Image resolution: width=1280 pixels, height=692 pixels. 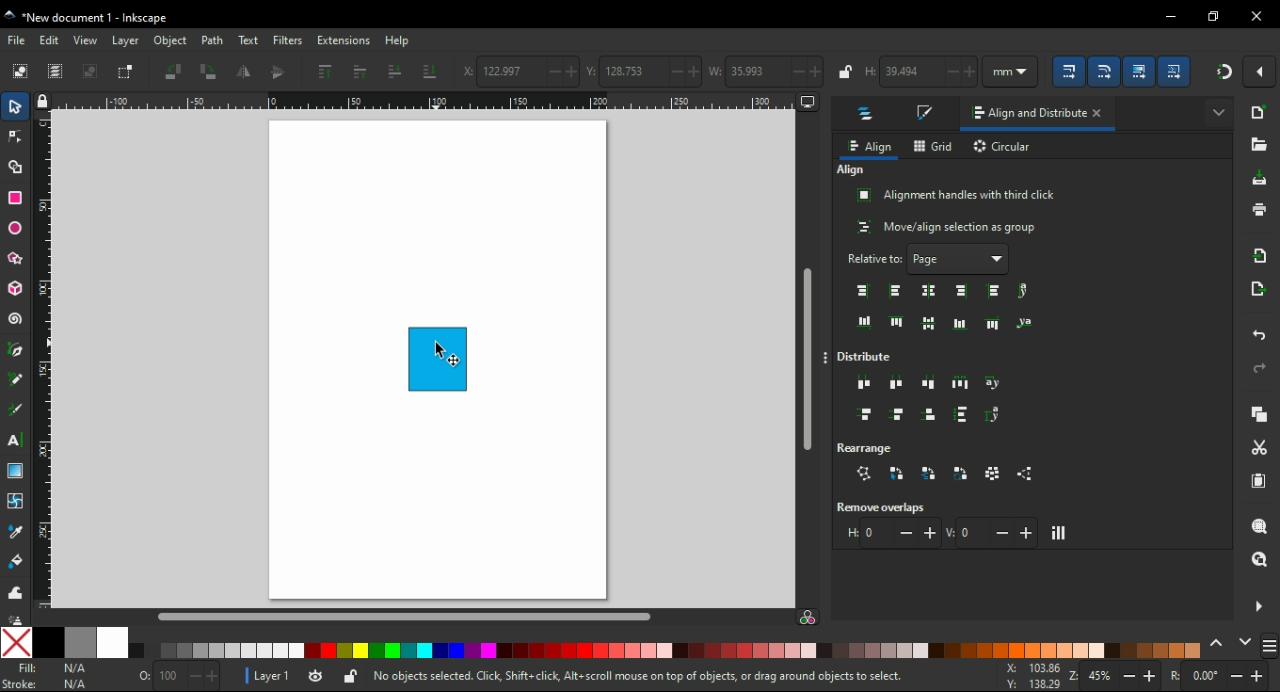 What do you see at coordinates (889, 534) in the screenshot?
I see `horizontal` at bounding box center [889, 534].